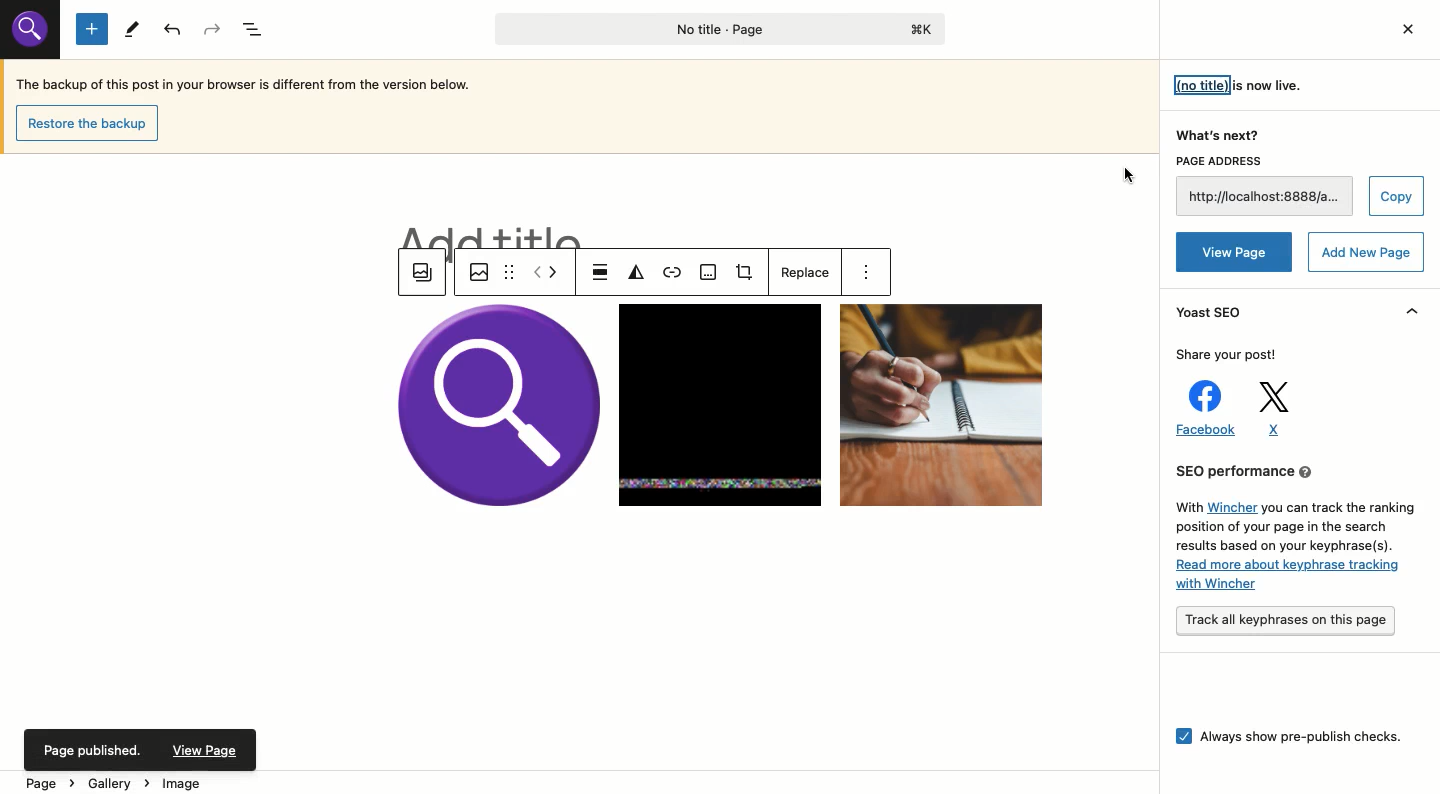  Describe the element at coordinates (636, 274) in the screenshot. I see `Duo filter` at that location.